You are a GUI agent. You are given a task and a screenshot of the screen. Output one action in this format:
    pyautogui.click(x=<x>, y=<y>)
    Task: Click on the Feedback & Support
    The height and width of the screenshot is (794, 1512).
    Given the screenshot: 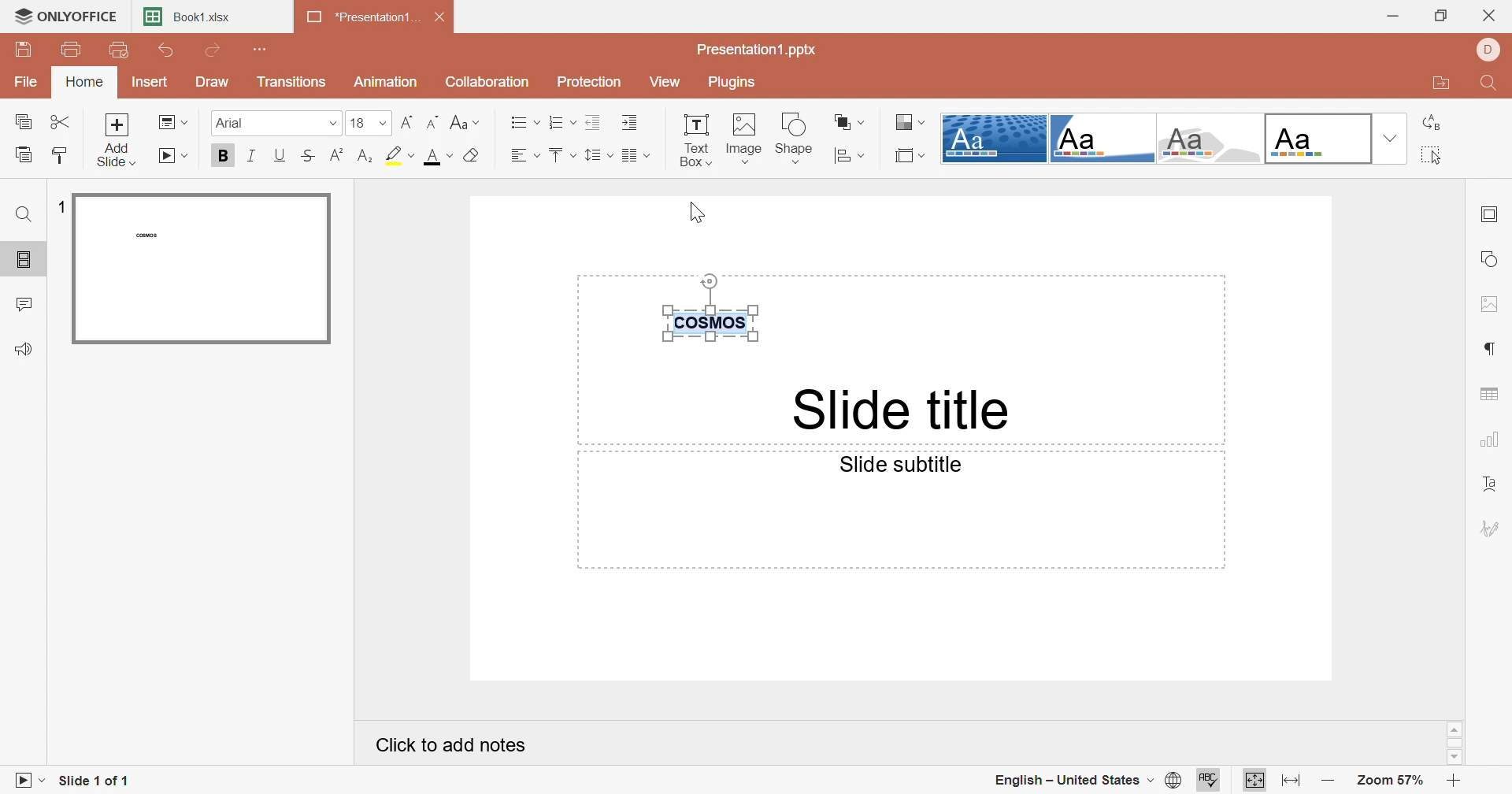 What is the action you would take?
    pyautogui.click(x=27, y=350)
    